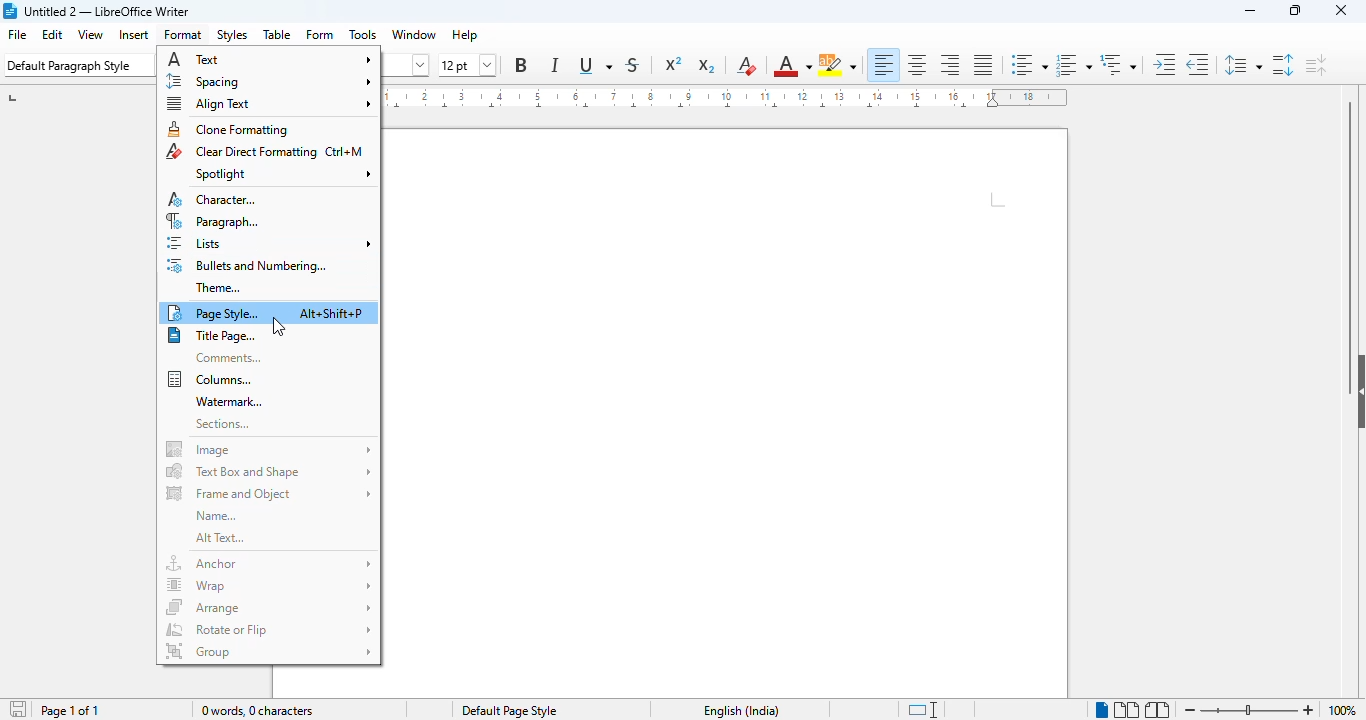 This screenshot has width=1366, height=720. I want to click on toggle ordered list, so click(1072, 65).